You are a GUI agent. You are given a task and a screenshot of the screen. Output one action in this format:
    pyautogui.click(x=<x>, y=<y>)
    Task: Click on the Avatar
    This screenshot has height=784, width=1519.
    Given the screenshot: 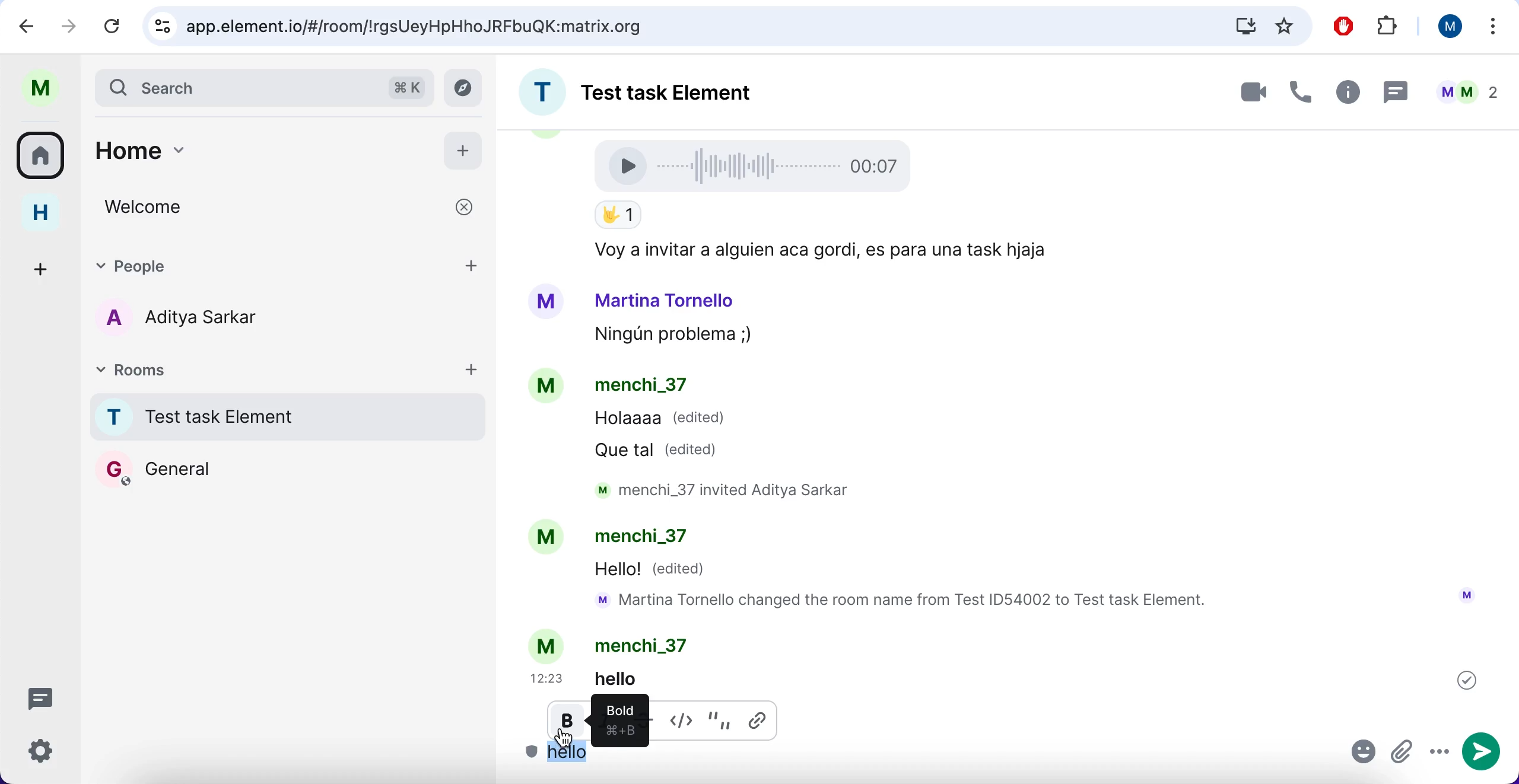 What is the action you would take?
    pyautogui.click(x=546, y=302)
    